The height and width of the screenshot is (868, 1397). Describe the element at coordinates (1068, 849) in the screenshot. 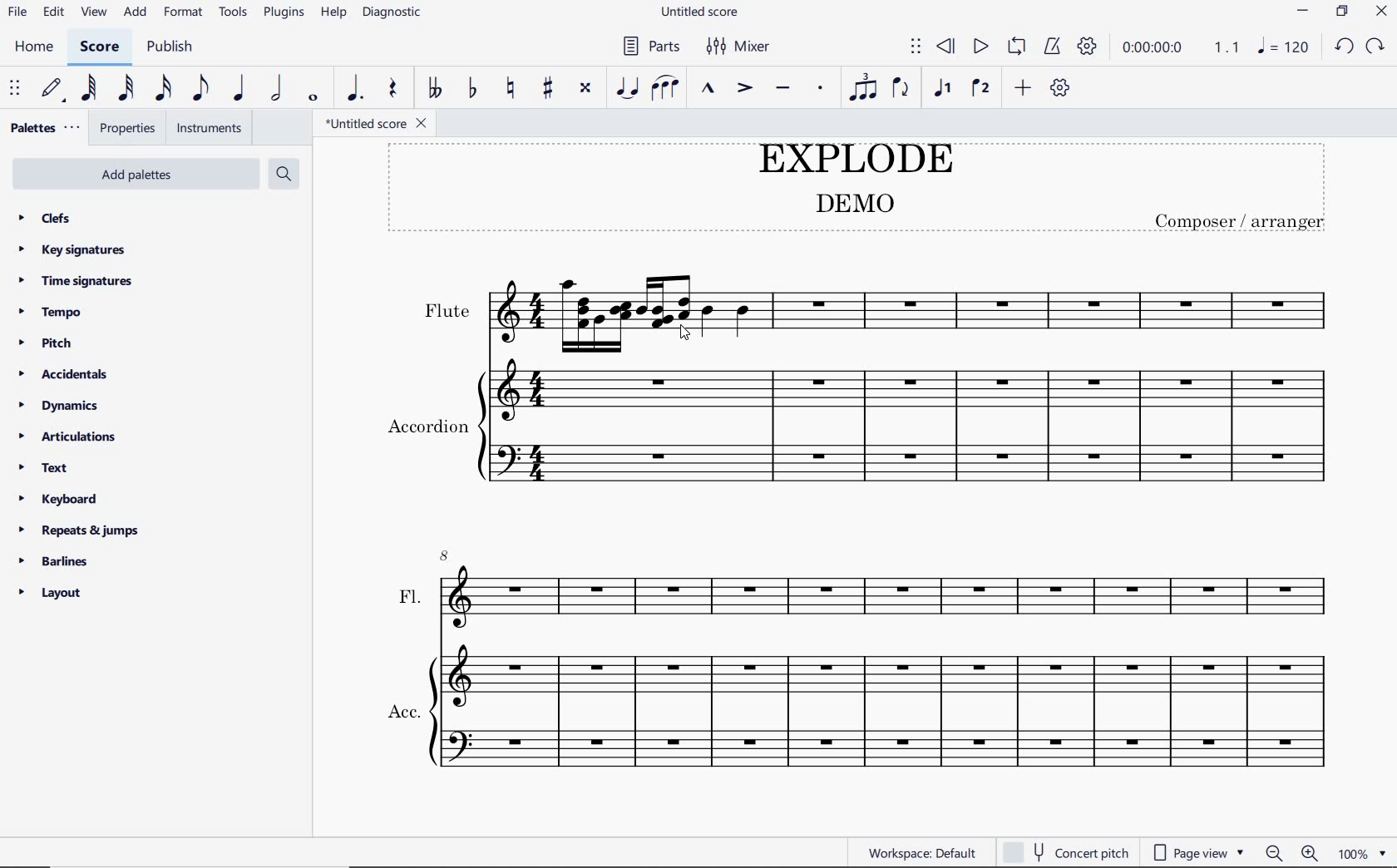

I see `concert pitch` at that location.